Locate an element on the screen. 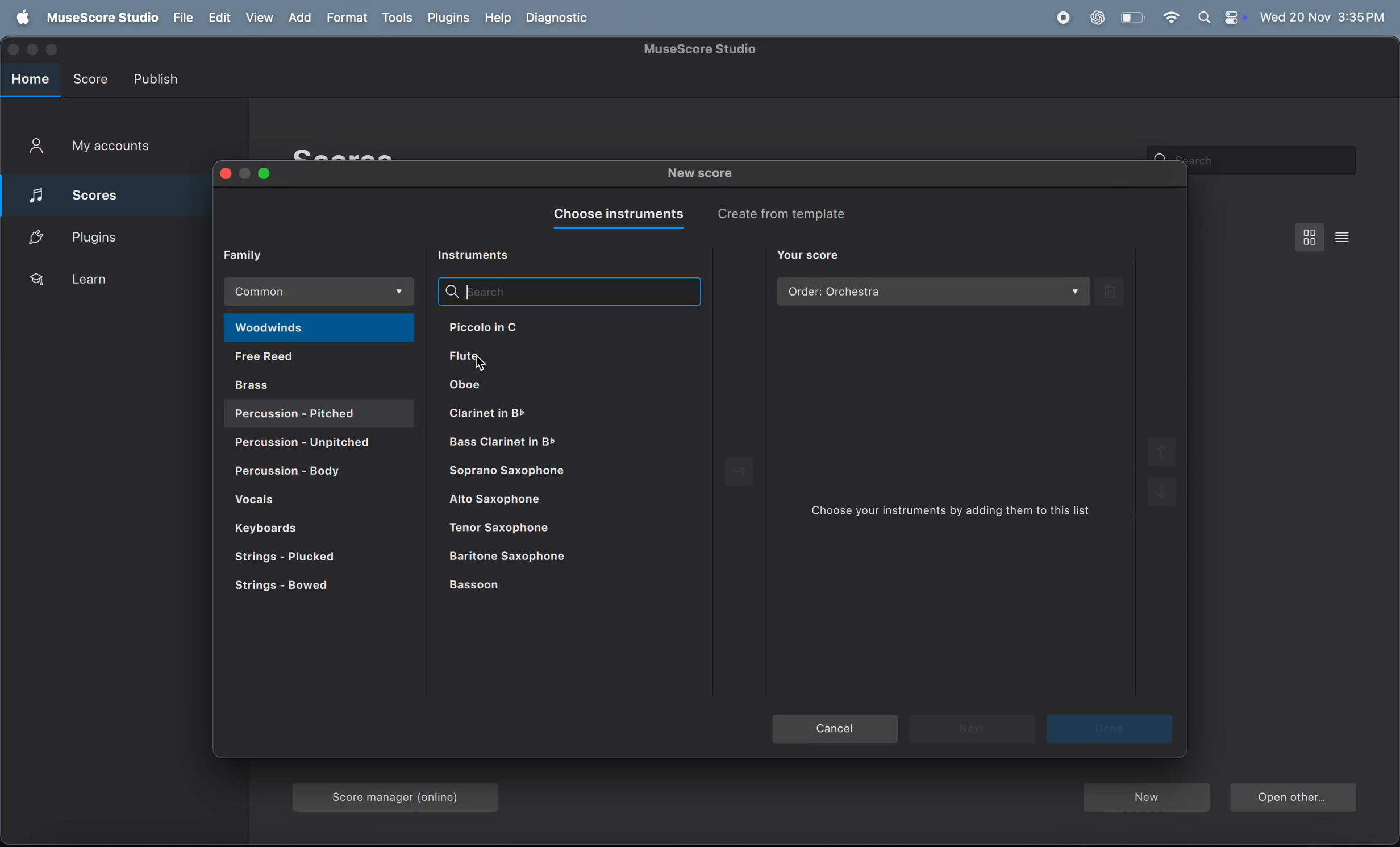 This screenshot has width=1400, height=847. clarinet is located at coordinates (552, 443).